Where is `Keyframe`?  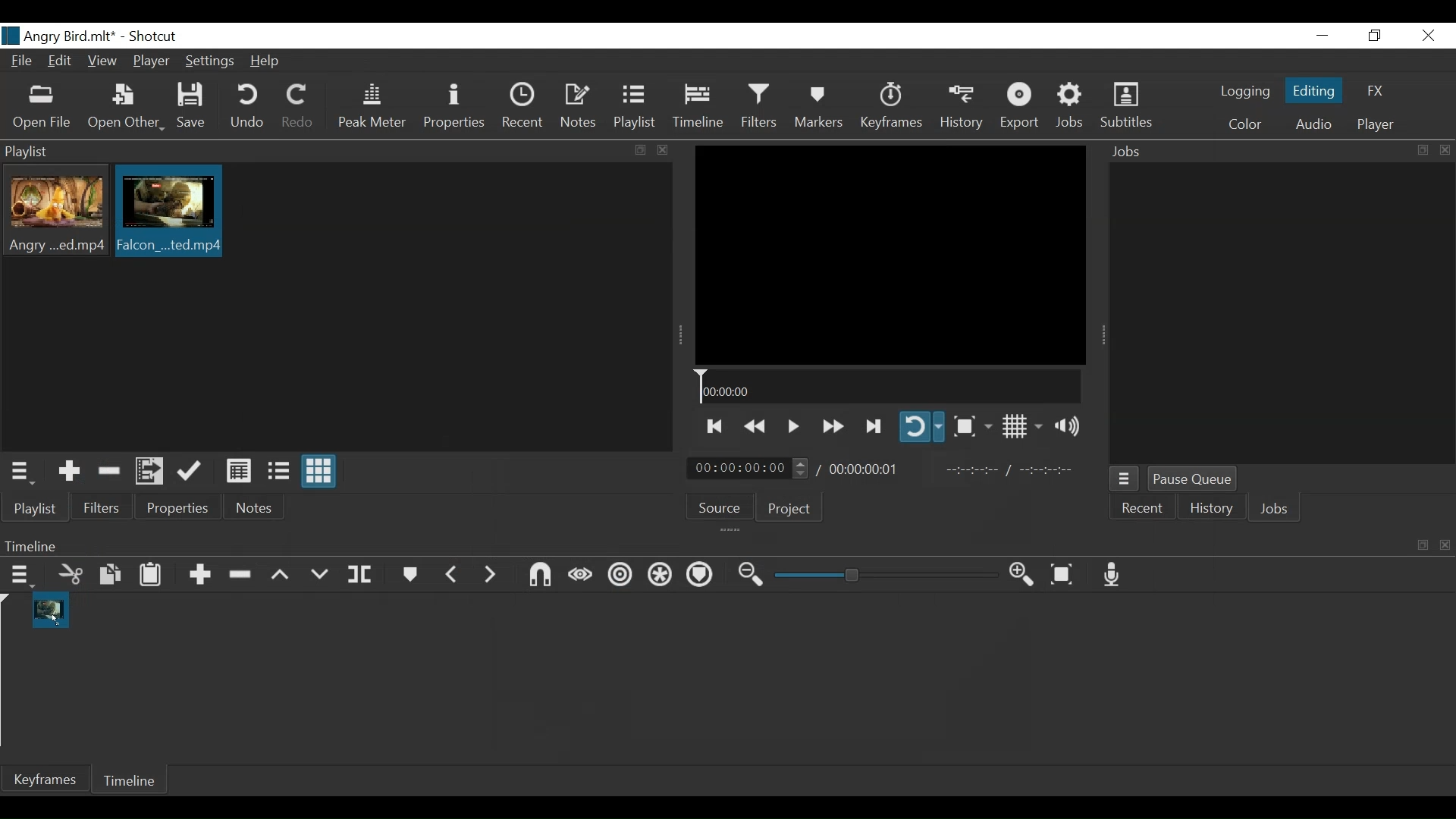
Keyframe is located at coordinates (45, 780).